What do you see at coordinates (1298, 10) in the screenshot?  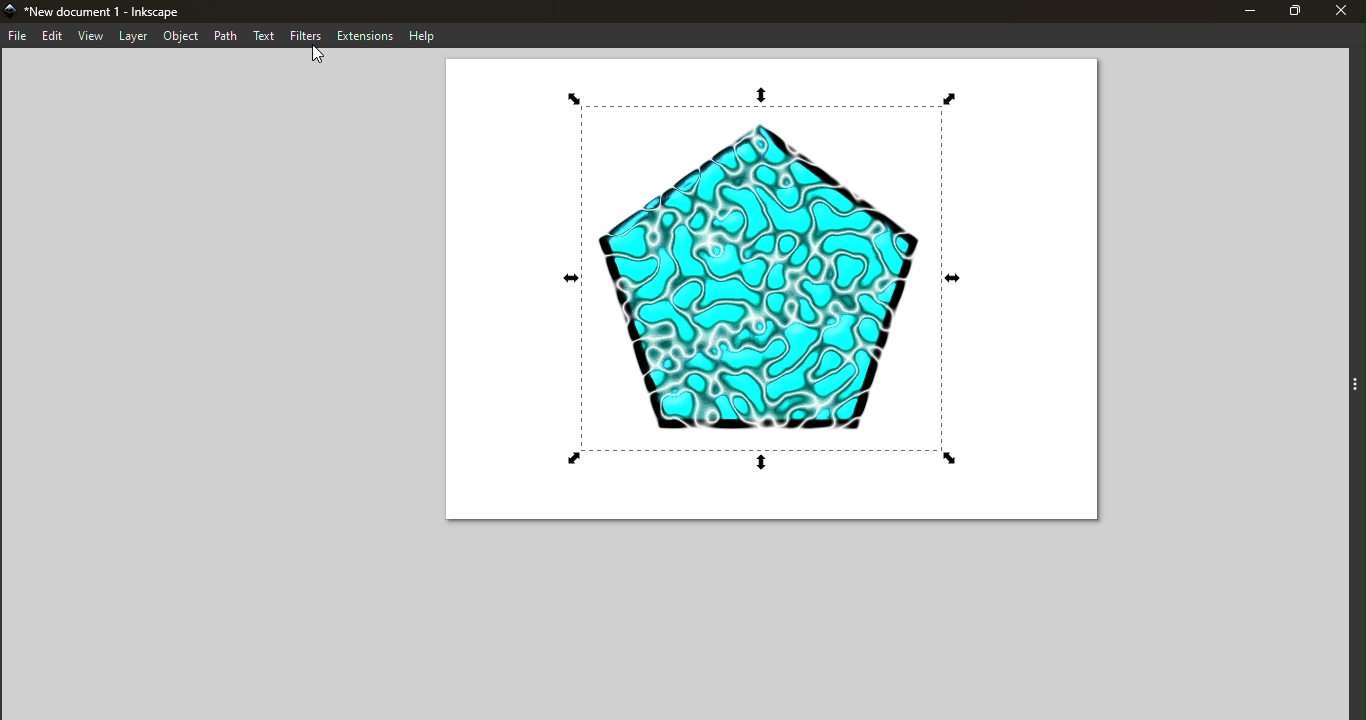 I see `Maximize` at bounding box center [1298, 10].